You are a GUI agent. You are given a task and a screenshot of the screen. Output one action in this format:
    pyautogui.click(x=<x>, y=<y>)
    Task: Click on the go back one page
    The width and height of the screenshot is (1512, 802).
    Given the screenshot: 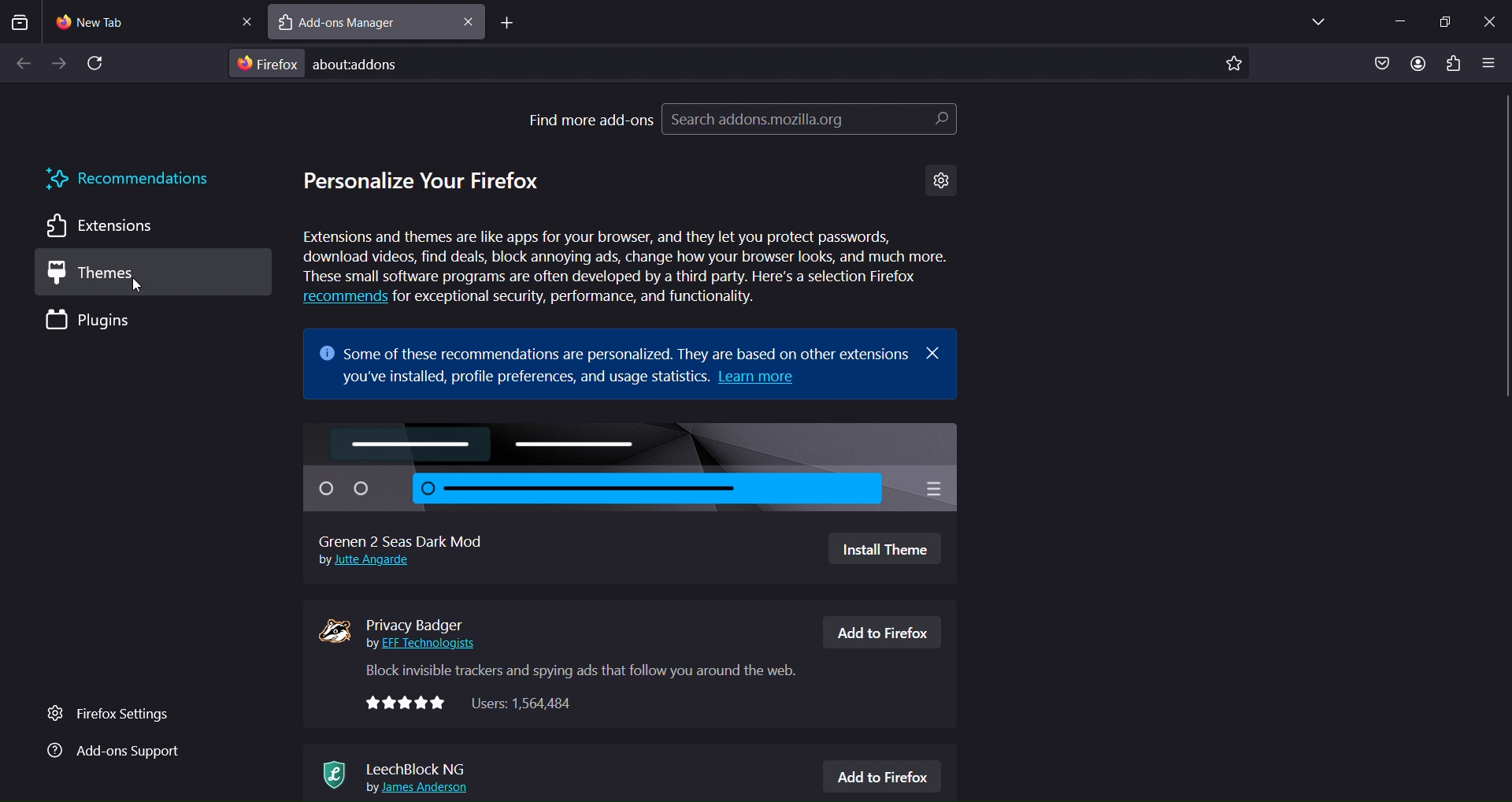 What is the action you would take?
    pyautogui.click(x=24, y=61)
    